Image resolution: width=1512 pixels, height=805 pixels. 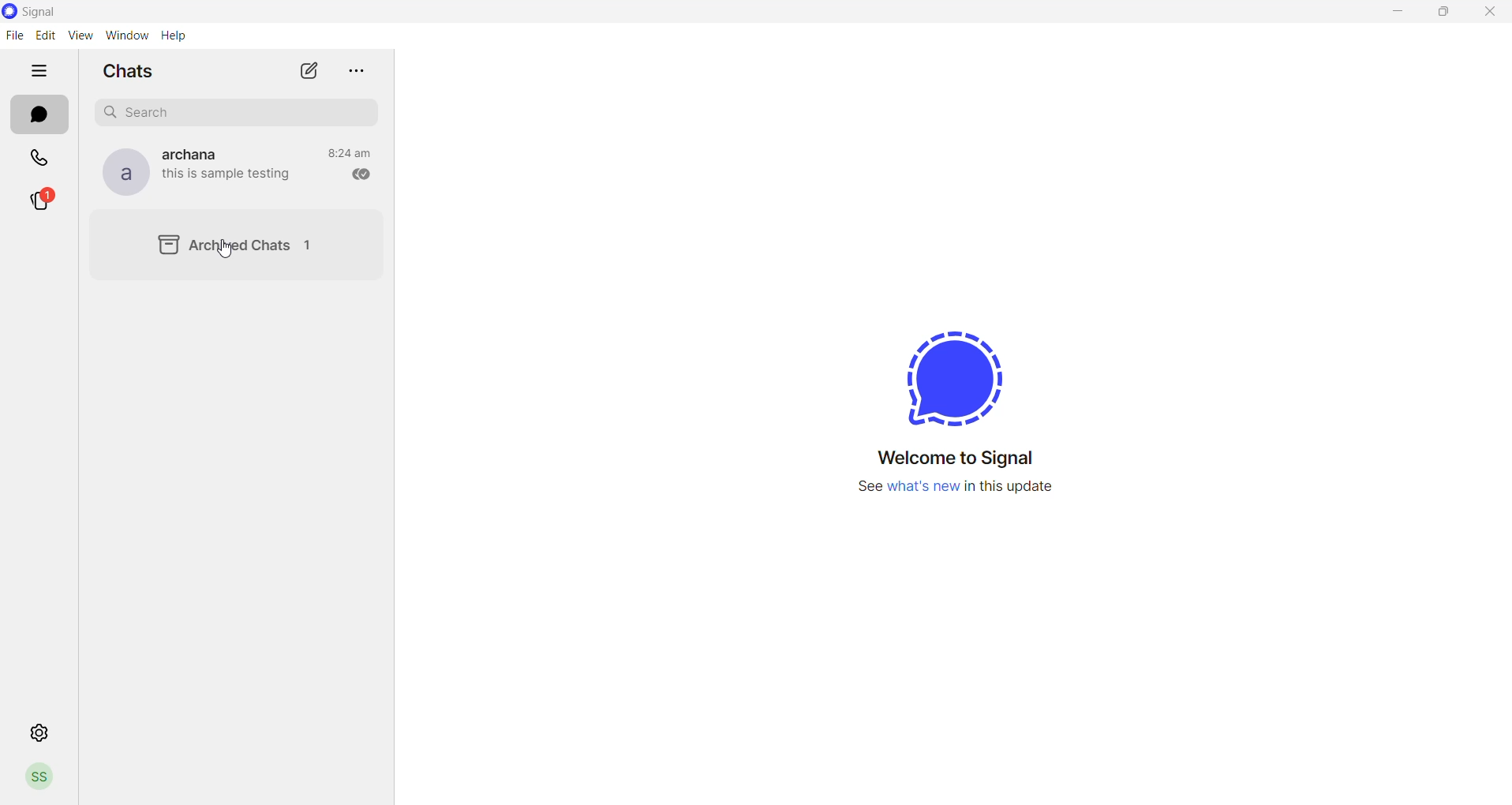 What do you see at coordinates (39, 202) in the screenshot?
I see `stories` at bounding box center [39, 202].